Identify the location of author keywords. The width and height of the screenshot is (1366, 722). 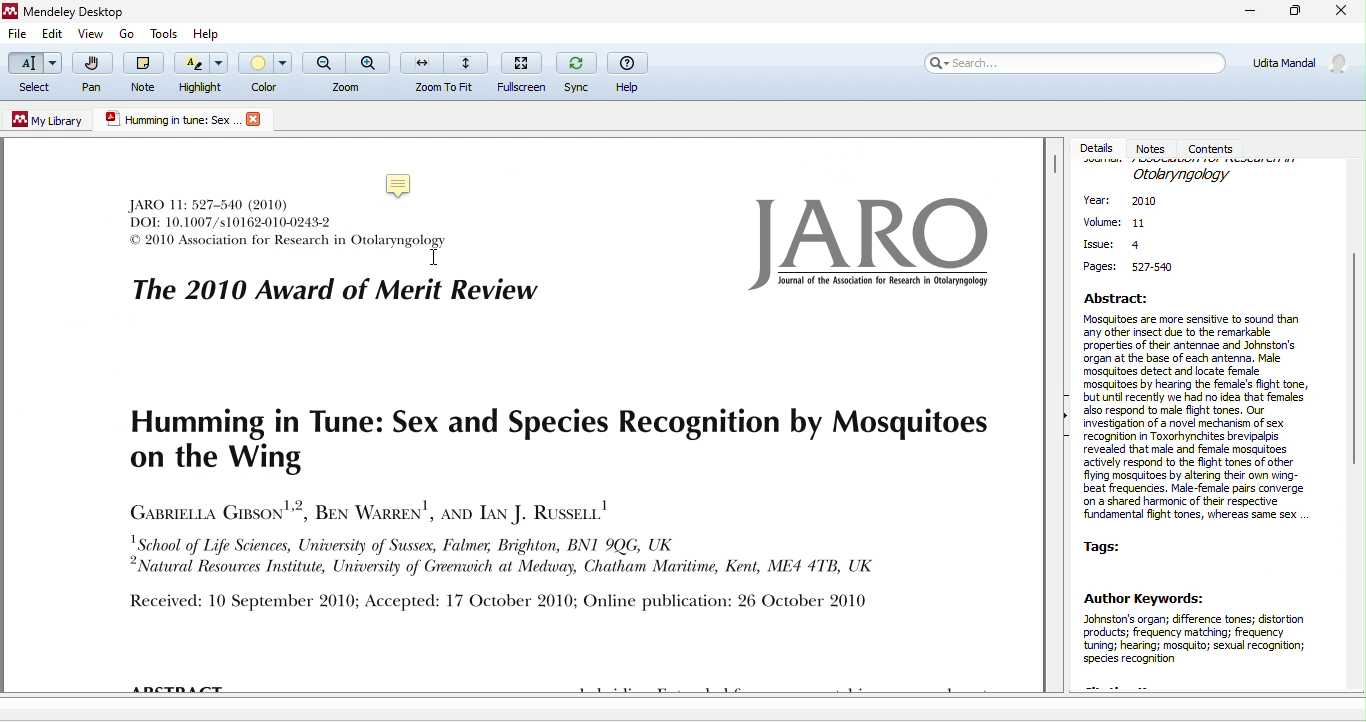
(1203, 638).